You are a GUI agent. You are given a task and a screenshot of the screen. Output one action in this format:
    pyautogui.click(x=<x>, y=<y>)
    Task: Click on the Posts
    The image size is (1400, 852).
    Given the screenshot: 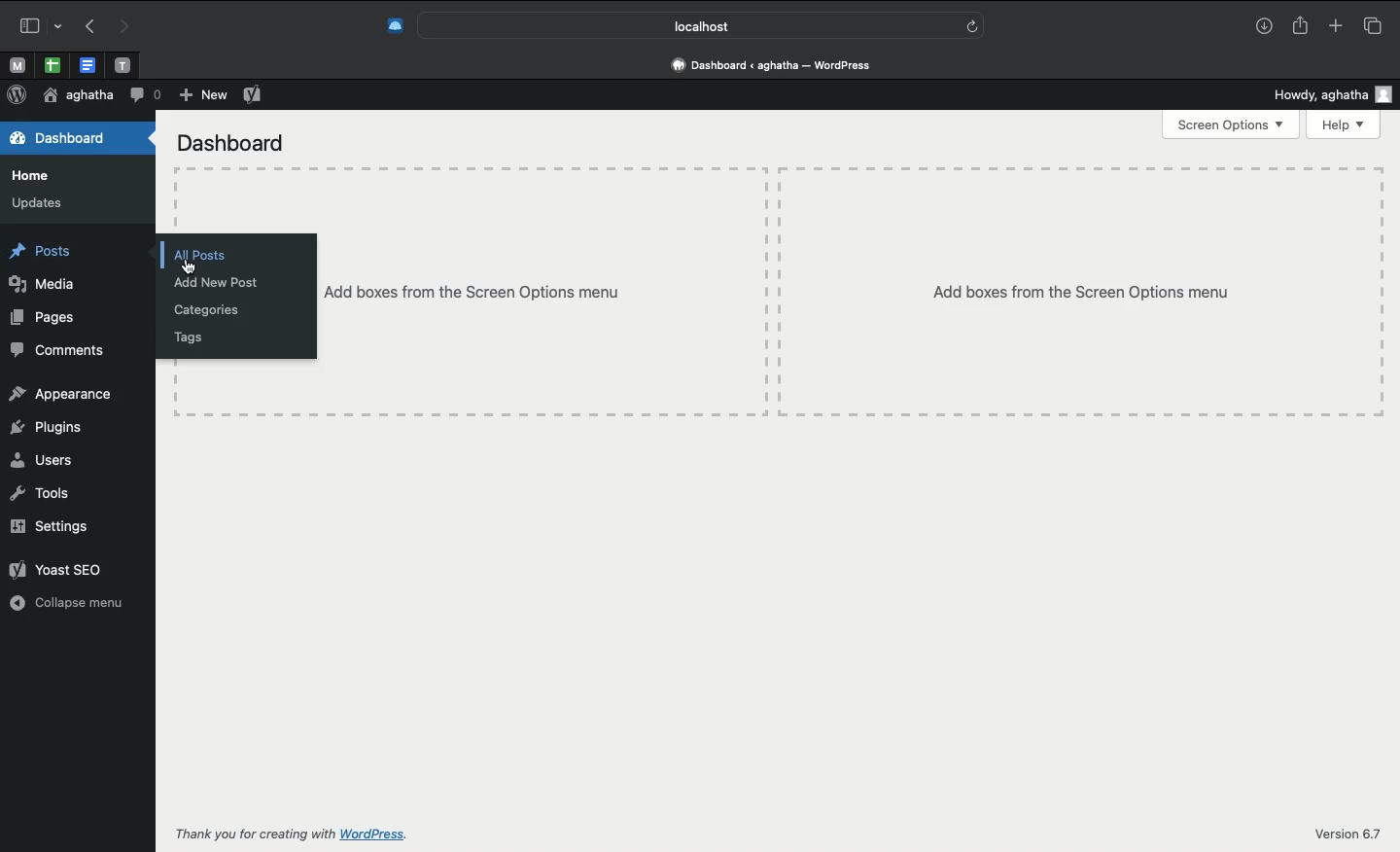 What is the action you would take?
    pyautogui.click(x=41, y=253)
    